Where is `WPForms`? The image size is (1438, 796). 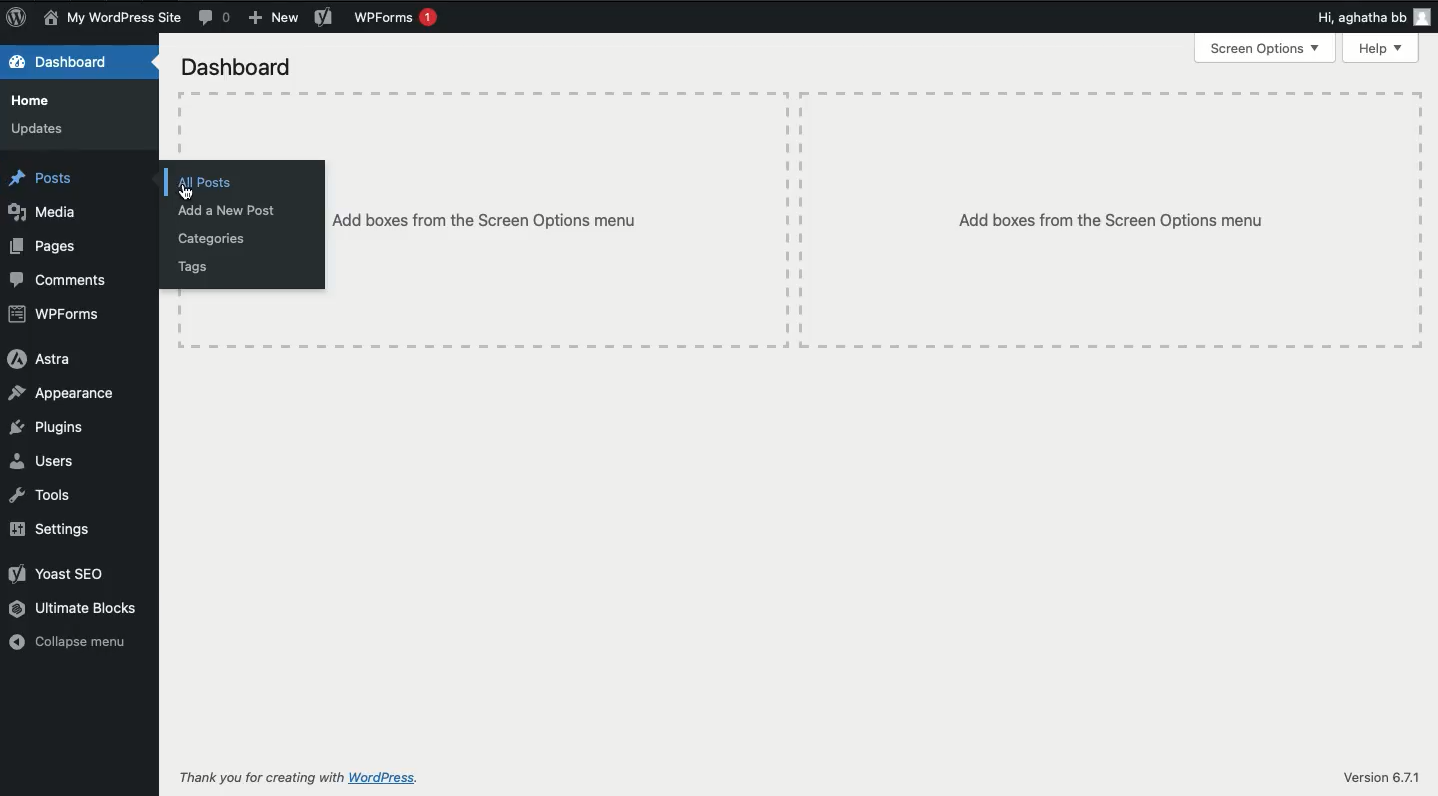 WPForms is located at coordinates (395, 19).